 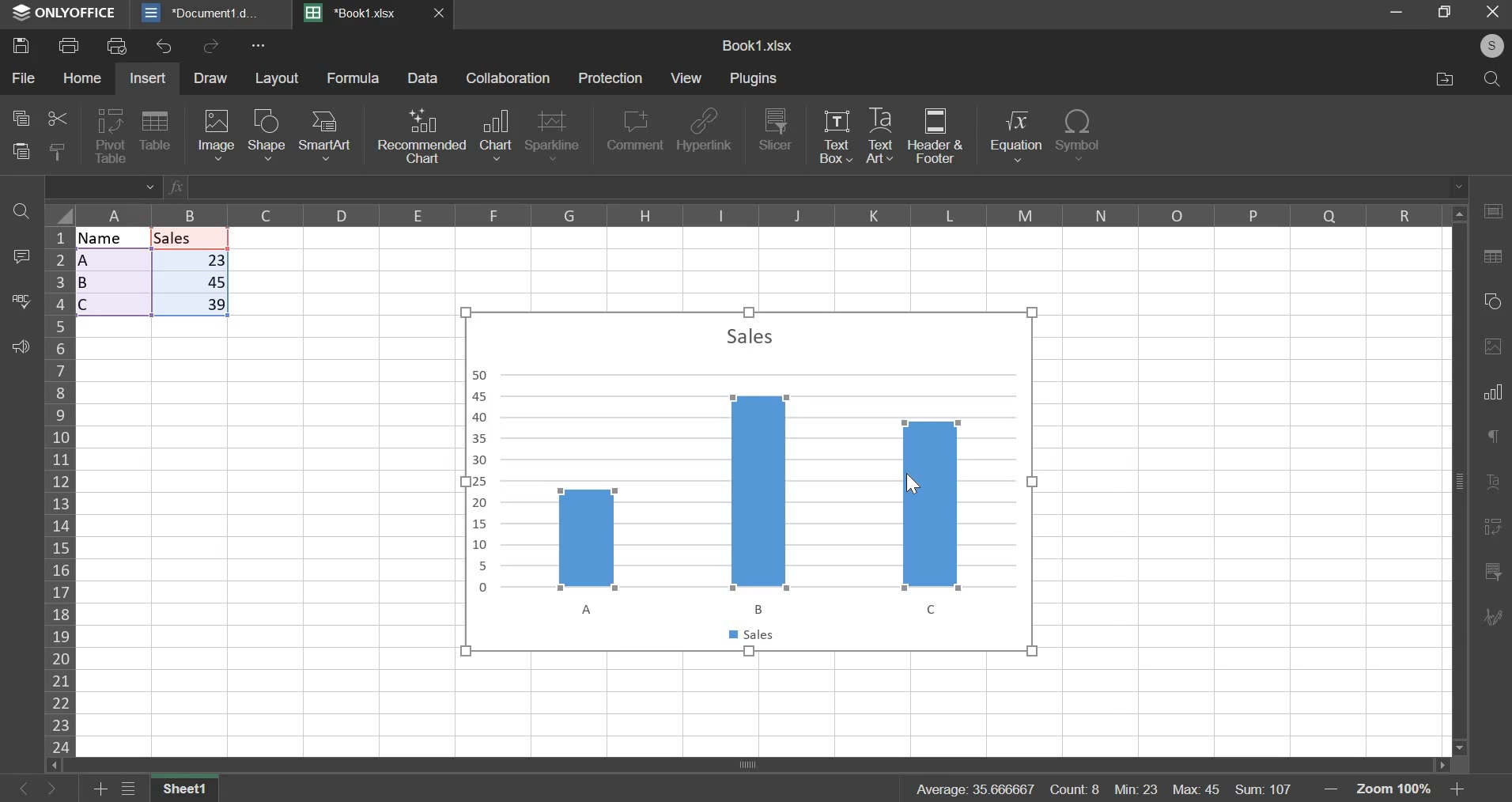 What do you see at coordinates (704, 130) in the screenshot?
I see `hyperlink` at bounding box center [704, 130].